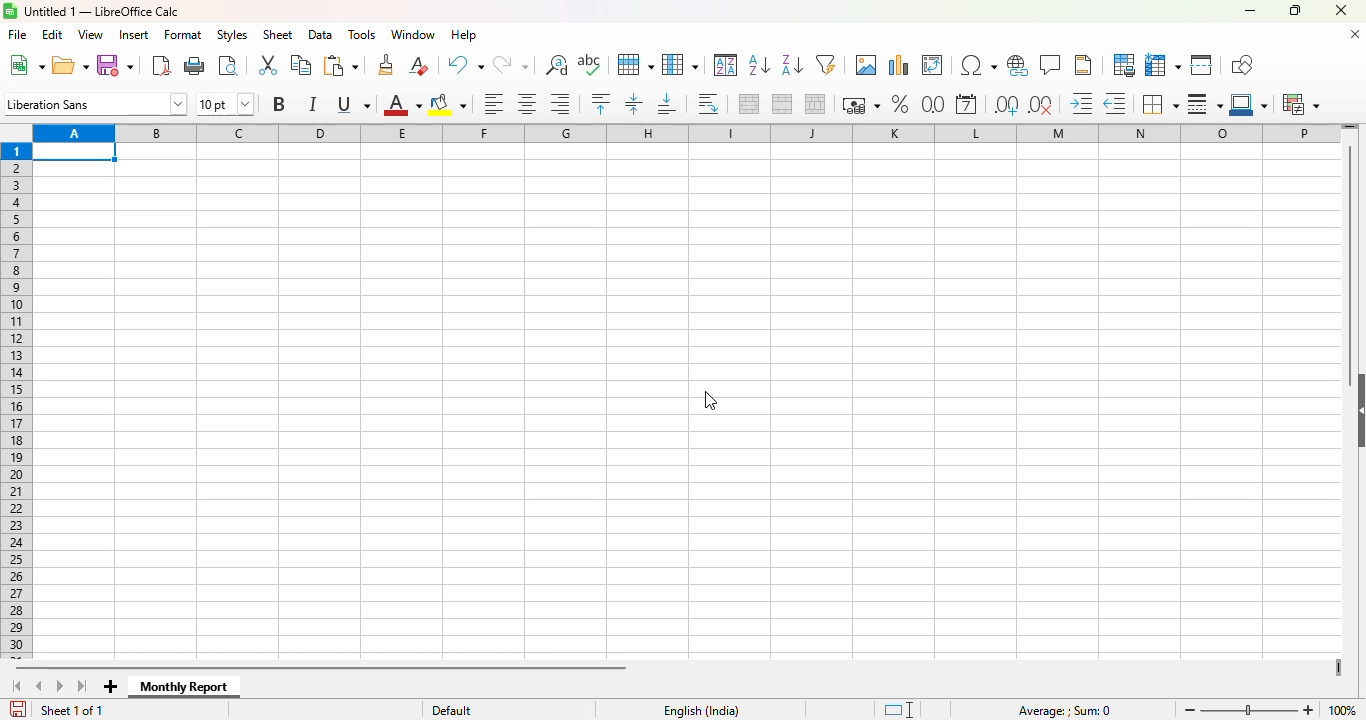 This screenshot has width=1366, height=720. I want to click on sheet 1 of 1, so click(72, 710).